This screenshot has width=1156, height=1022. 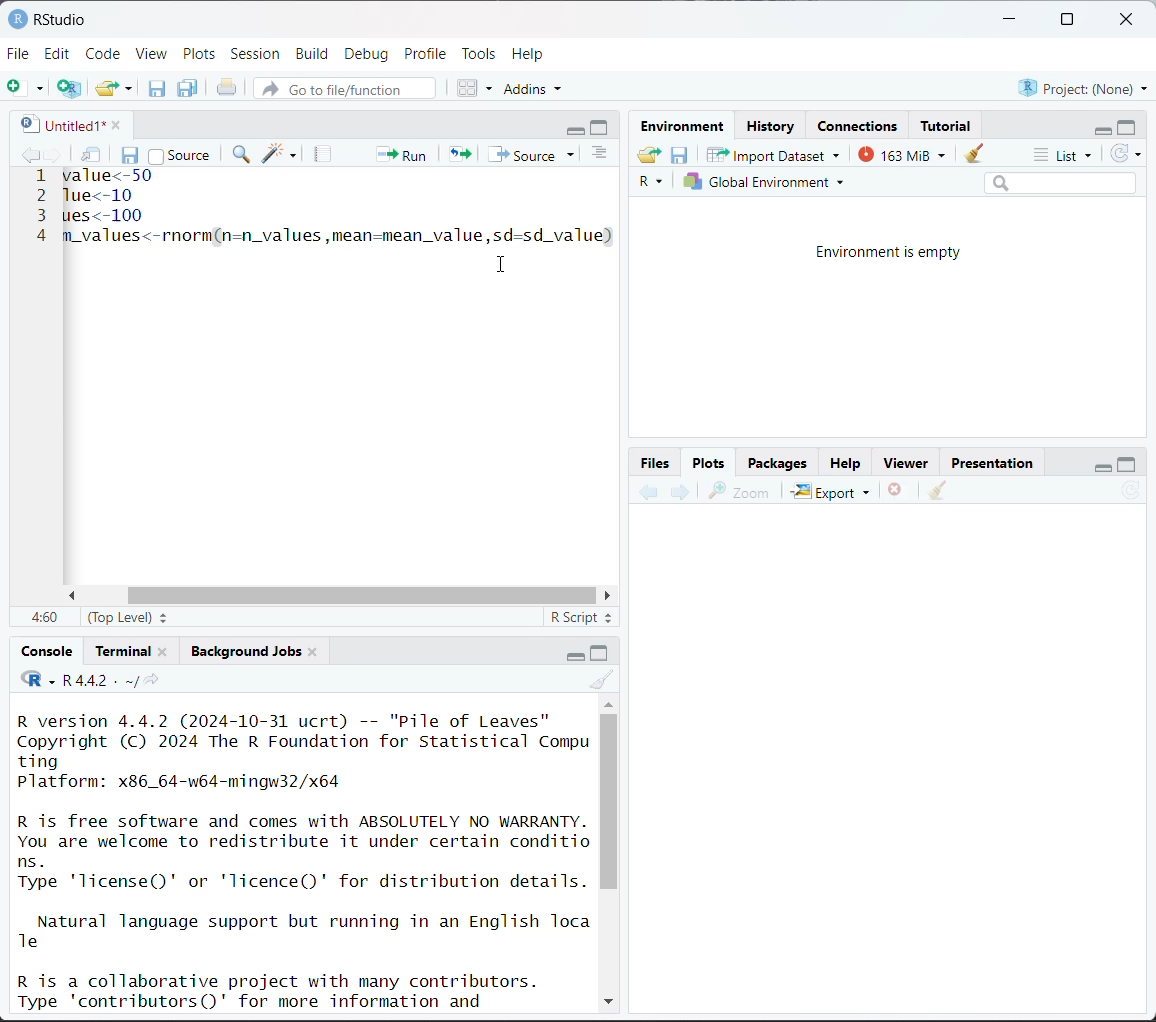 What do you see at coordinates (576, 128) in the screenshot?
I see `minimize` at bounding box center [576, 128].